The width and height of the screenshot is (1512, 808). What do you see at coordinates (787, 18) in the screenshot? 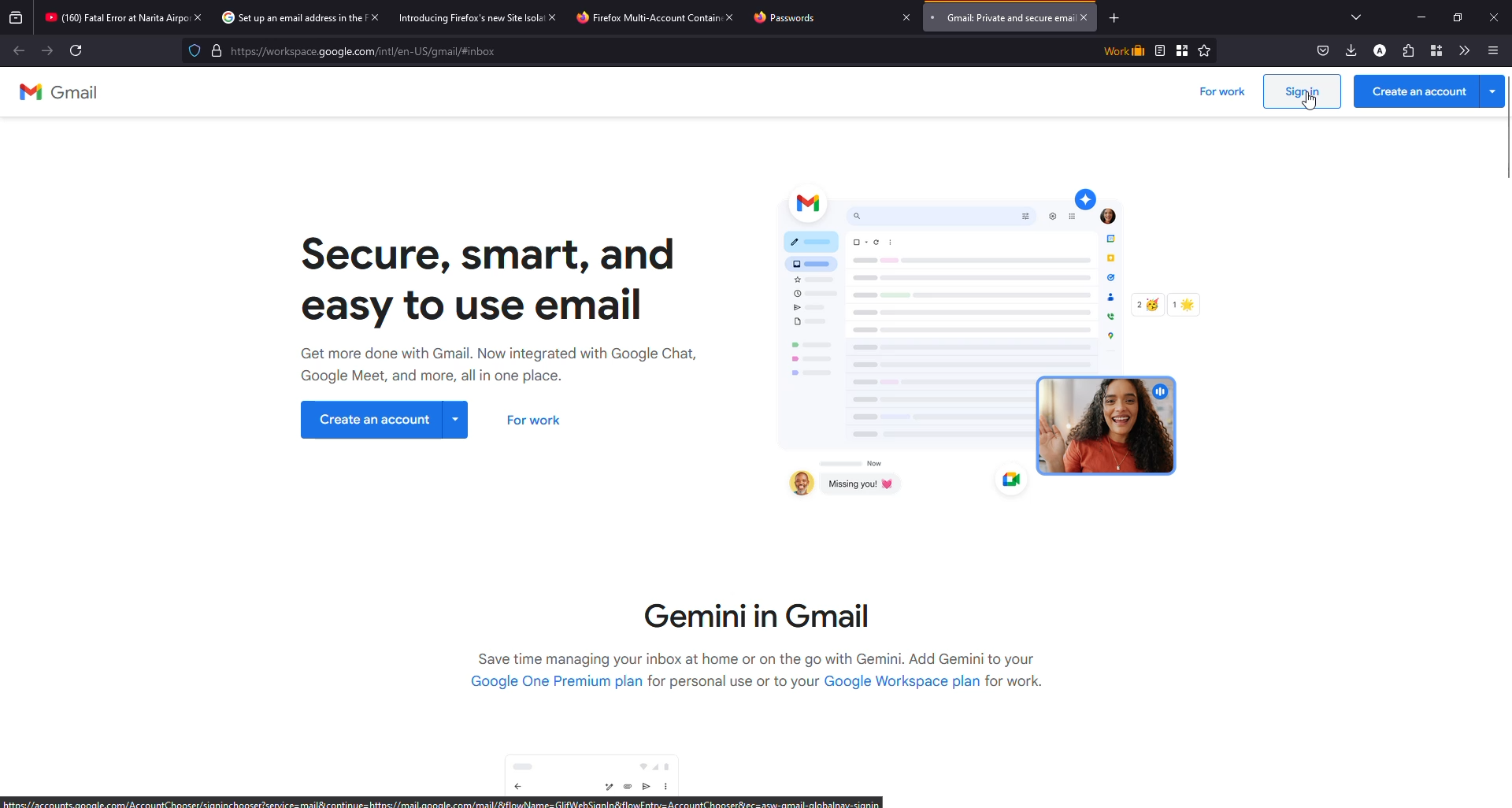
I see `Passwords` at bounding box center [787, 18].